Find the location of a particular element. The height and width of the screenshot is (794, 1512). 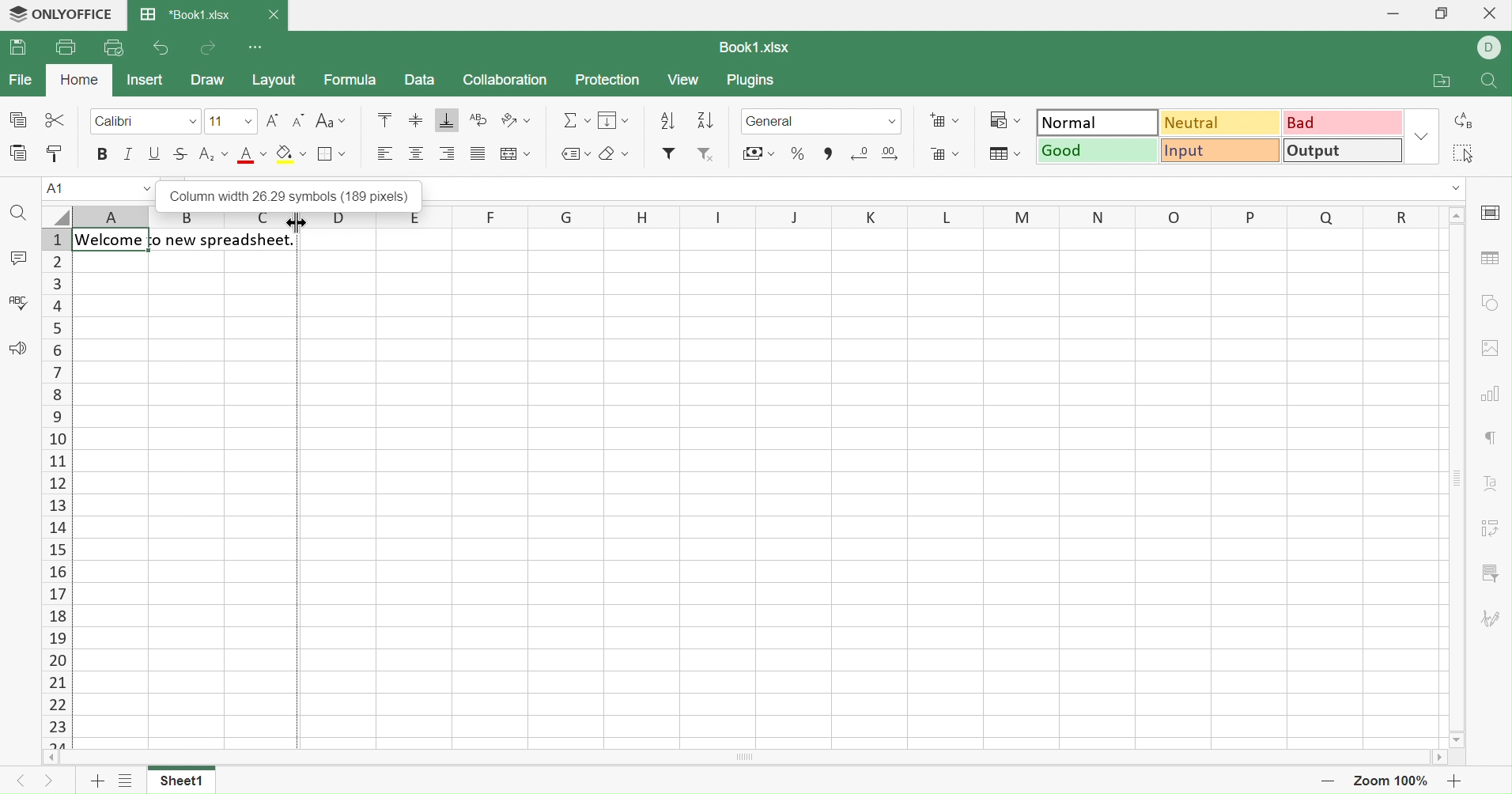

Named ranges is located at coordinates (576, 154).